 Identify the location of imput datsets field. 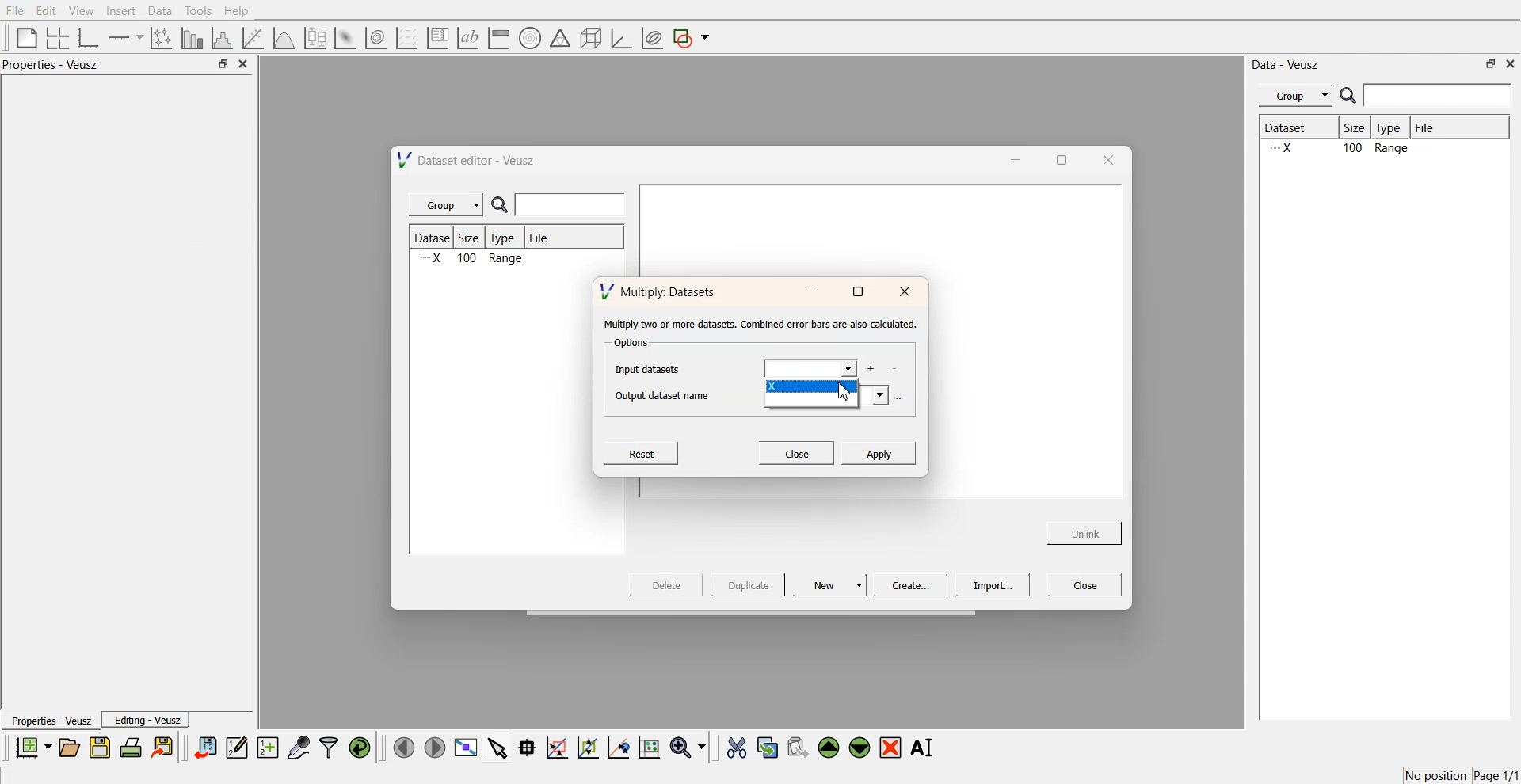
(810, 368).